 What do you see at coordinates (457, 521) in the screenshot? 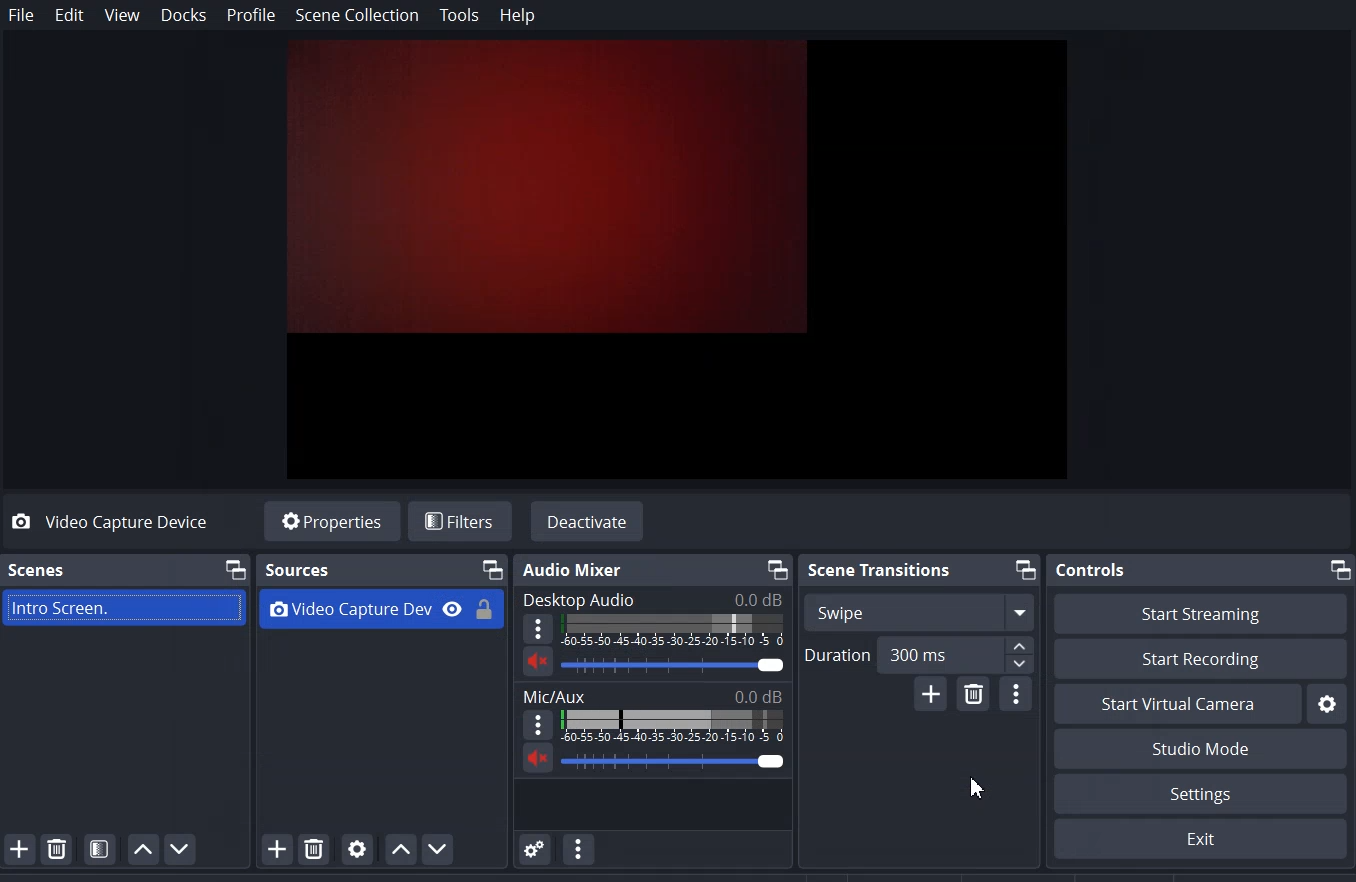
I see `Filters` at bounding box center [457, 521].